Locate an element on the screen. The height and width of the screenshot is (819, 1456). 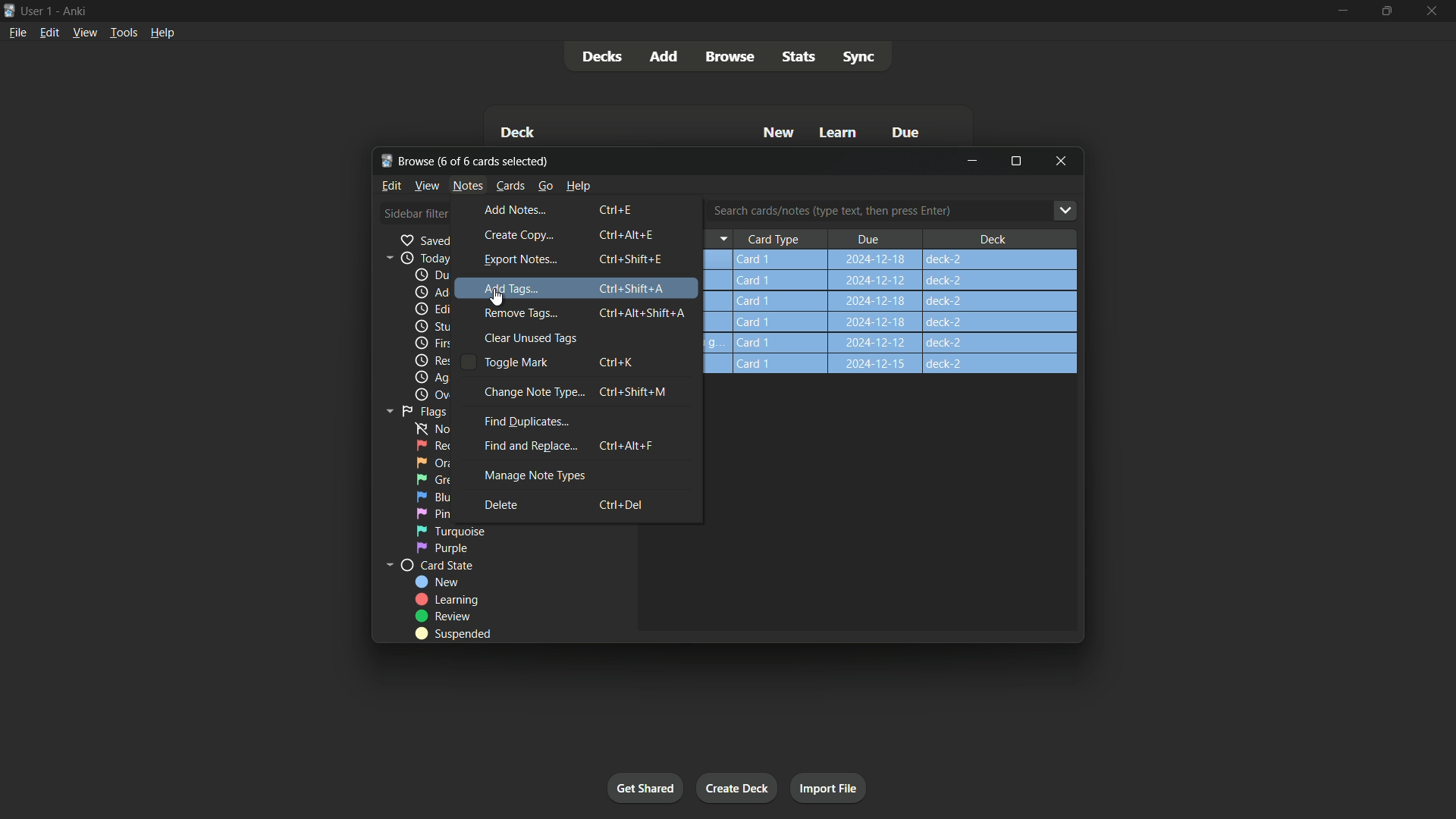
Overdue is located at coordinates (445, 395).